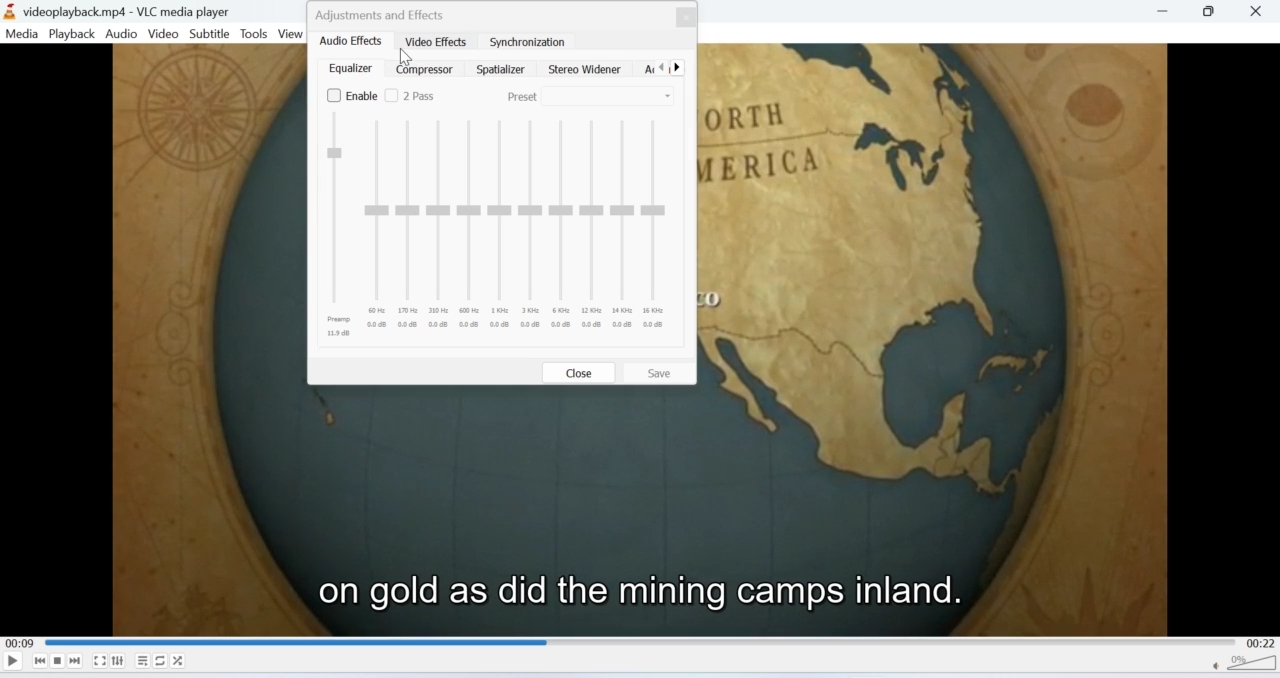 This screenshot has width=1280, height=678. Describe the element at coordinates (1166, 10) in the screenshot. I see `Minimise` at that location.